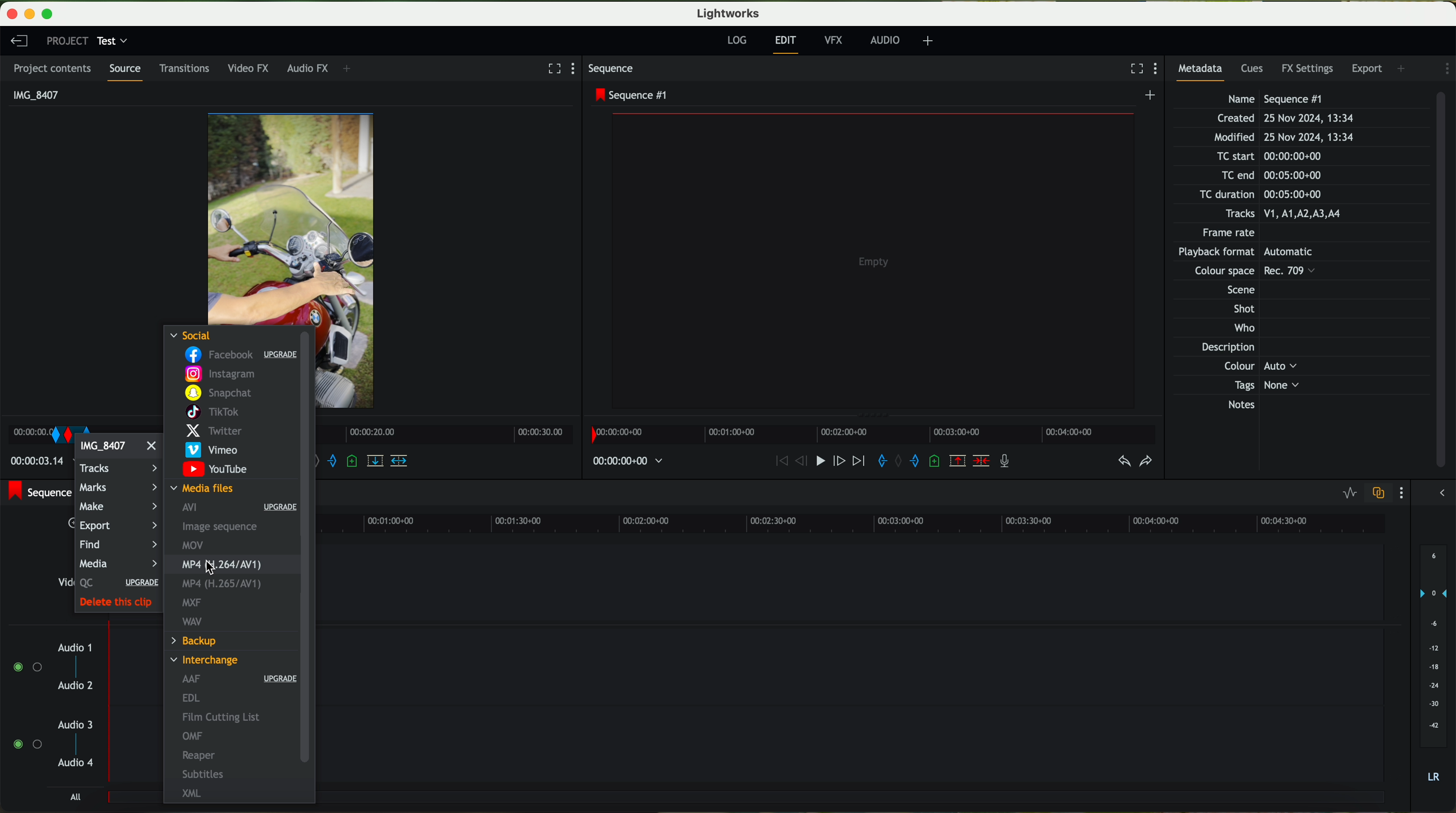  What do you see at coordinates (928, 42) in the screenshot?
I see `+` at bounding box center [928, 42].